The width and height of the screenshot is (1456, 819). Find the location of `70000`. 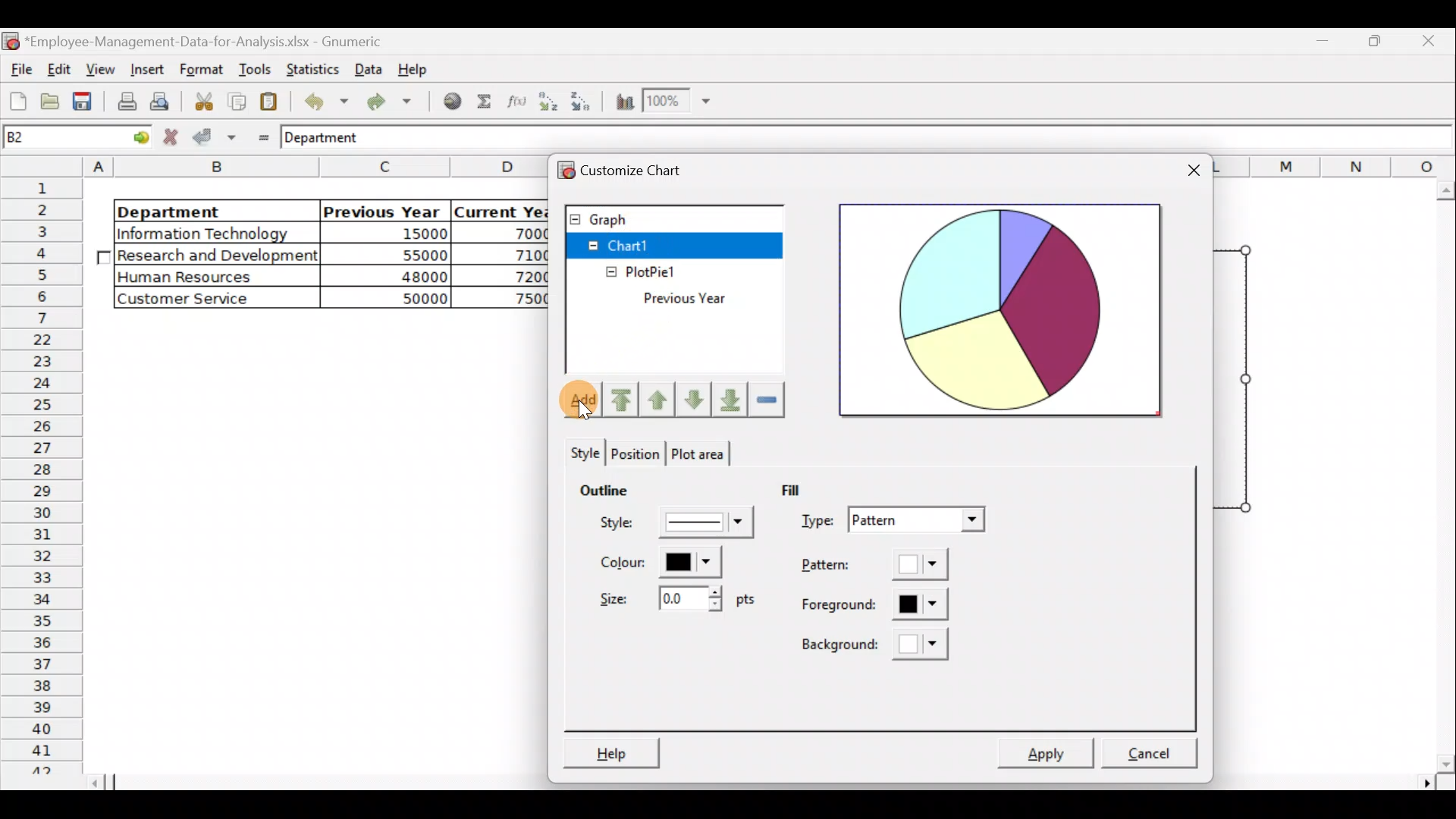

70000 is located at coordinates (518, 233).